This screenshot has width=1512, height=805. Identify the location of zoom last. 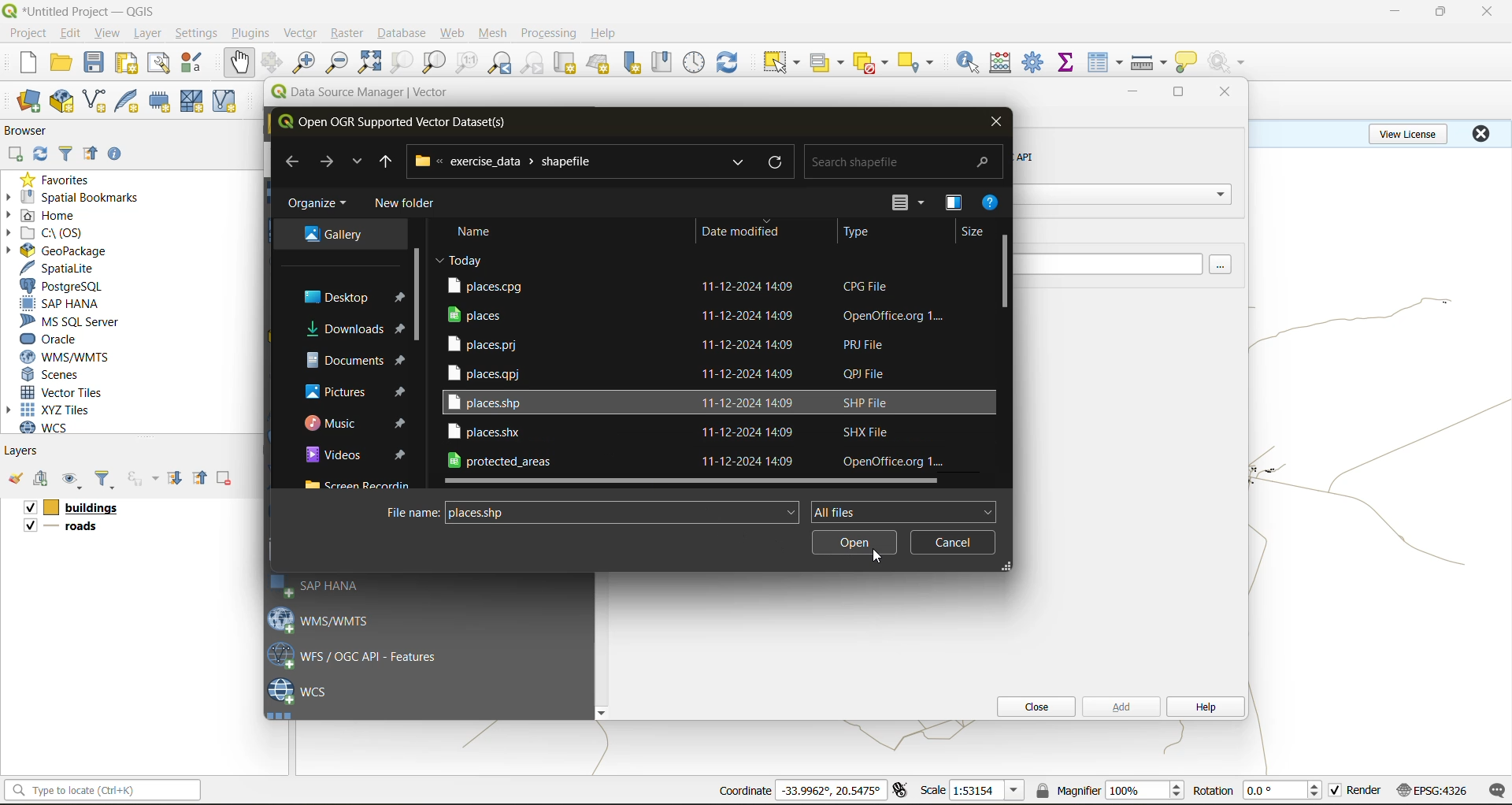
(499, 63).